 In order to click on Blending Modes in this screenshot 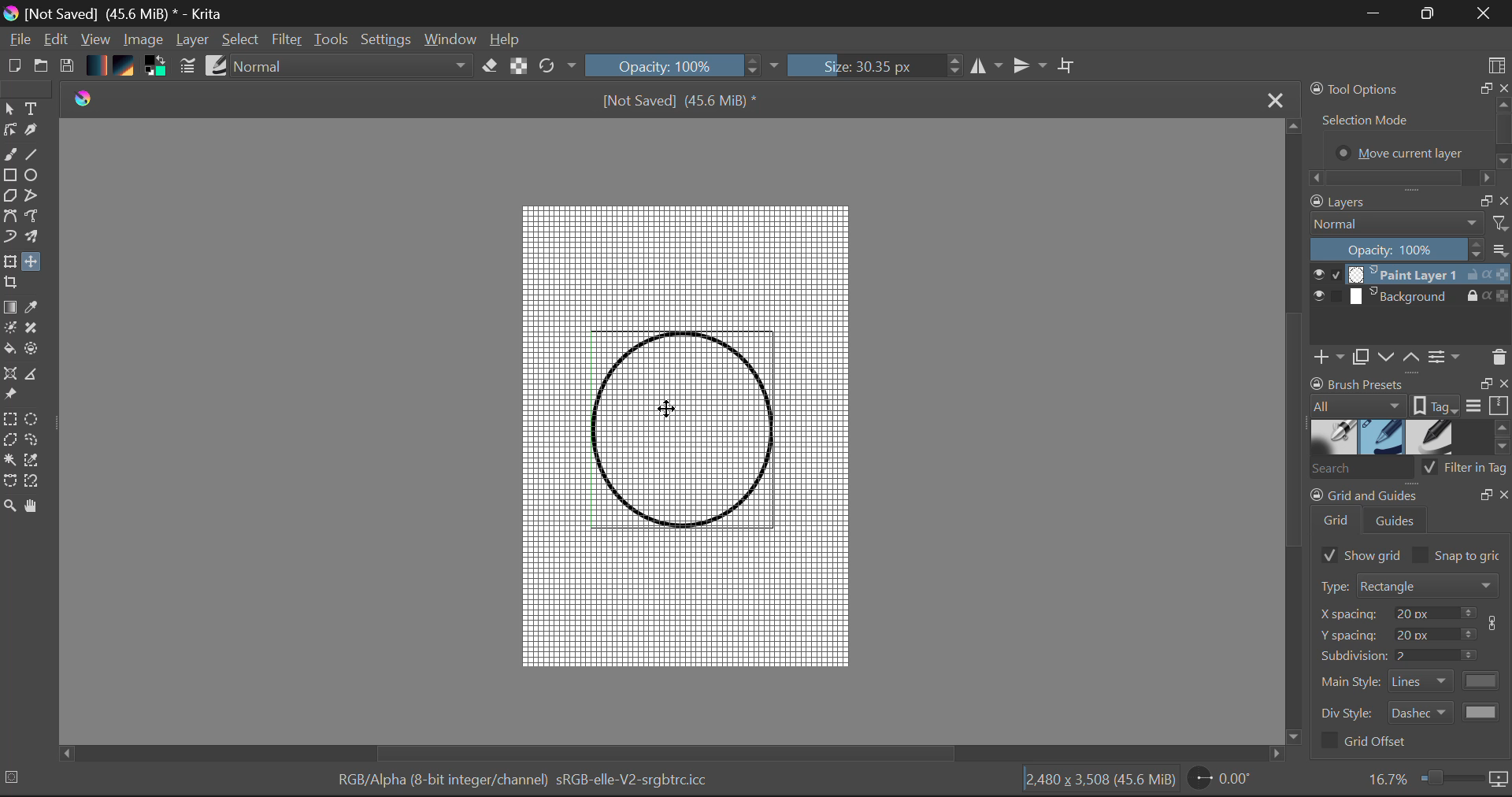, I will do `click(348, 68)`.